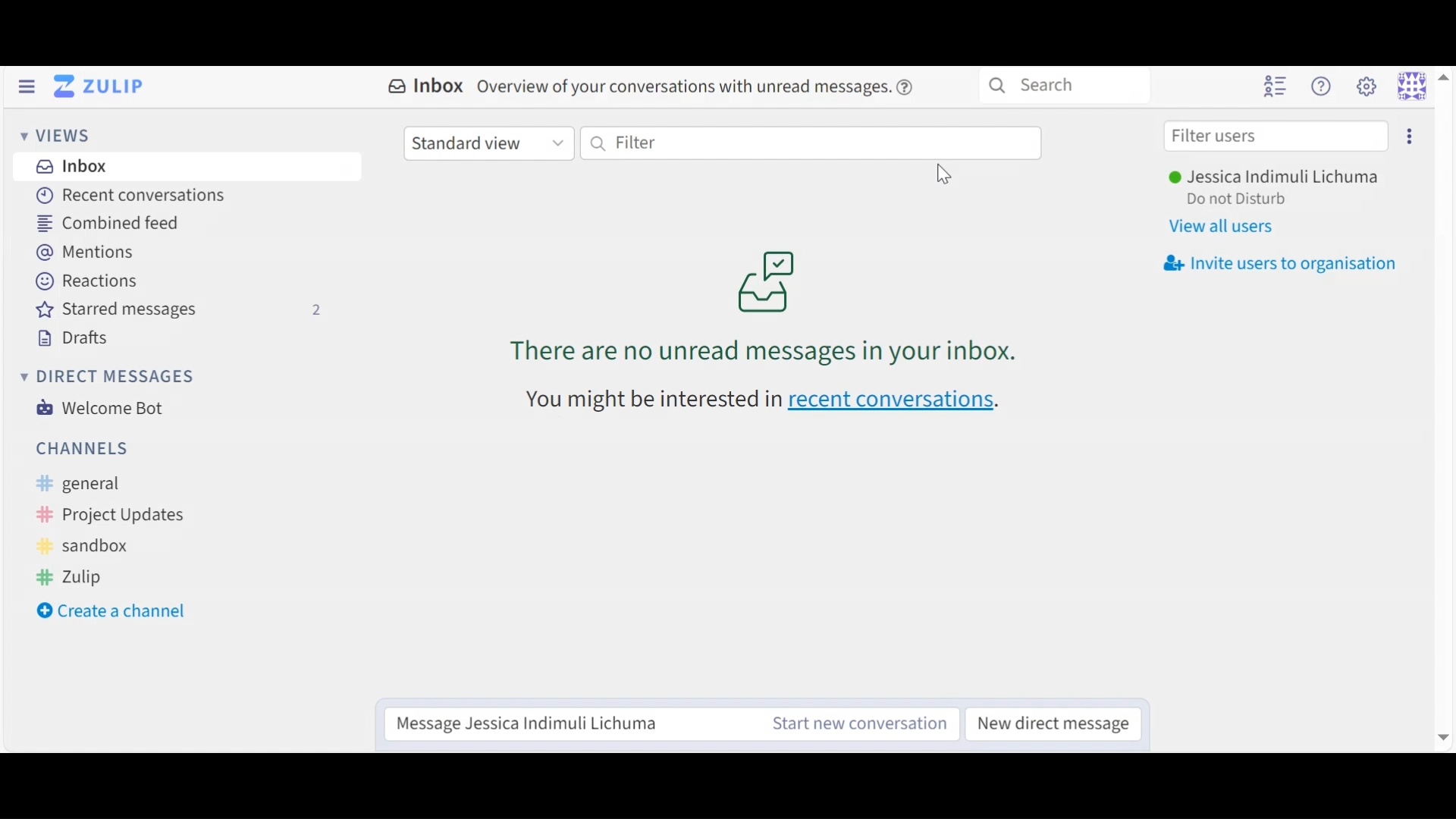 Image resolution: width=1456 pixels, height=819 pixels. I want to click on Invite users to organisation, so click(1407, 136).